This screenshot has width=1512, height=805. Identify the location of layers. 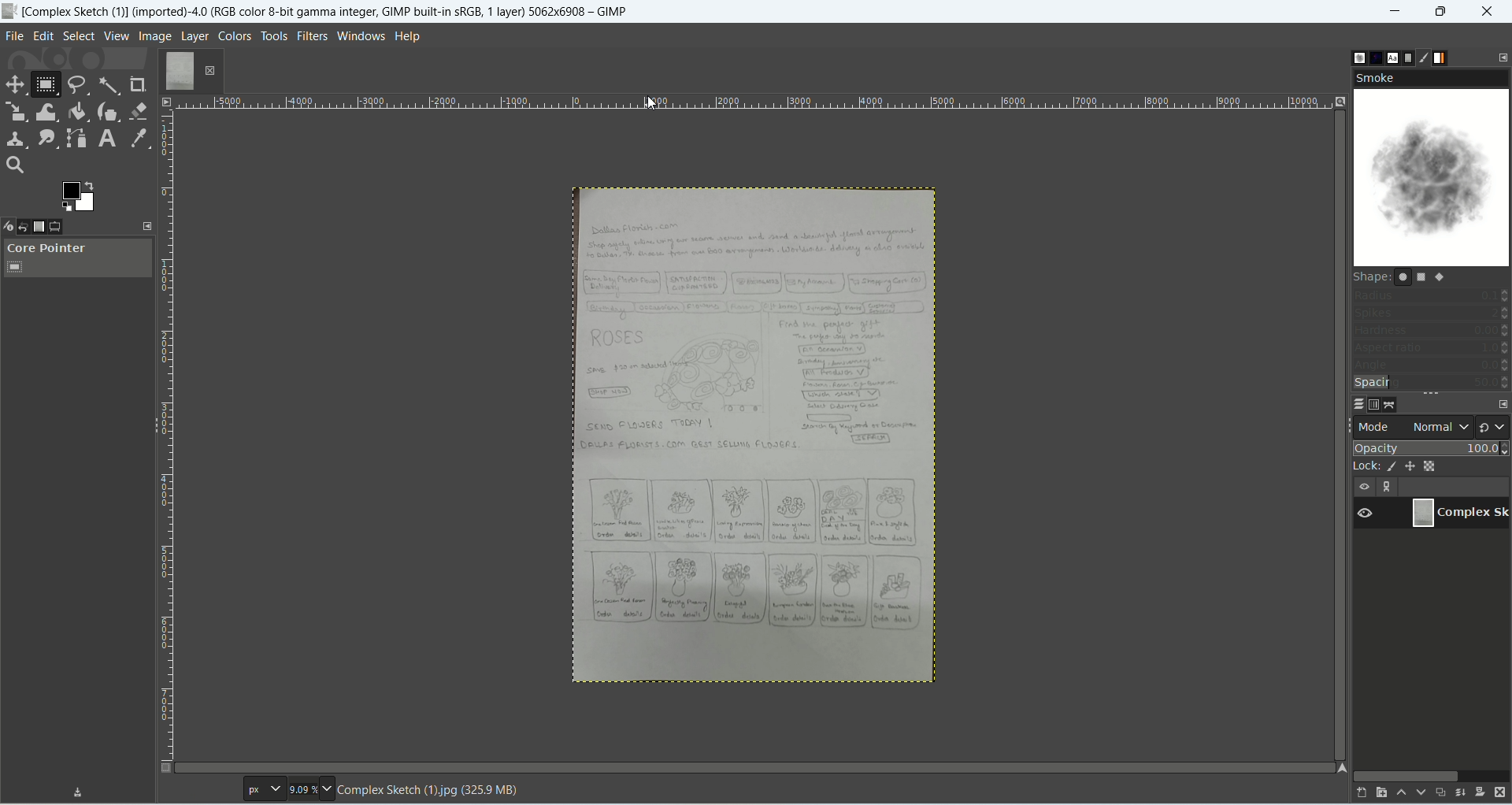
(1358, 405).